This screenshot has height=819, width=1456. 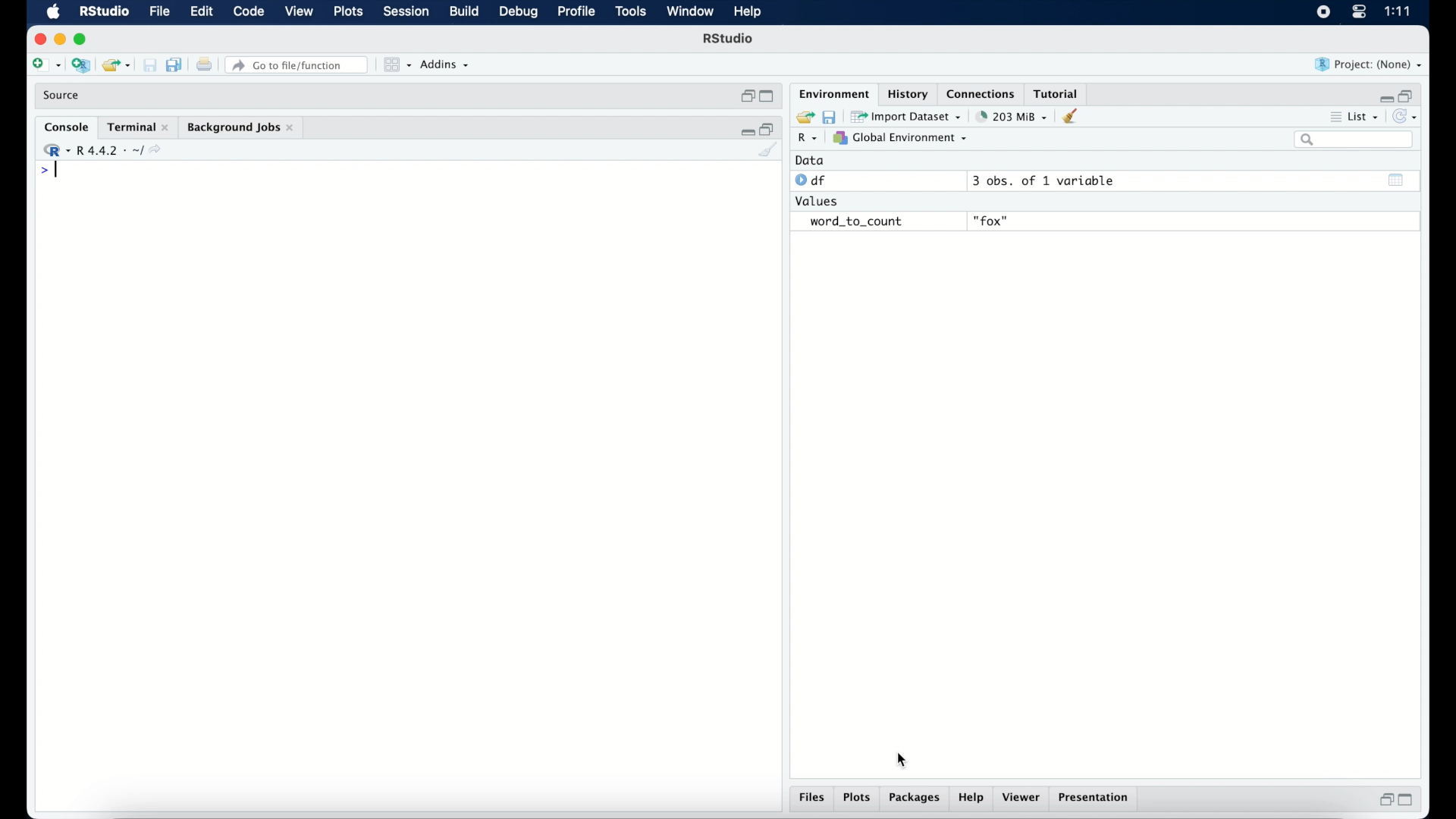 What do you see at coordinates (915, 799) in the screenshot?
I see `packages` at bounding box center [915, 799].